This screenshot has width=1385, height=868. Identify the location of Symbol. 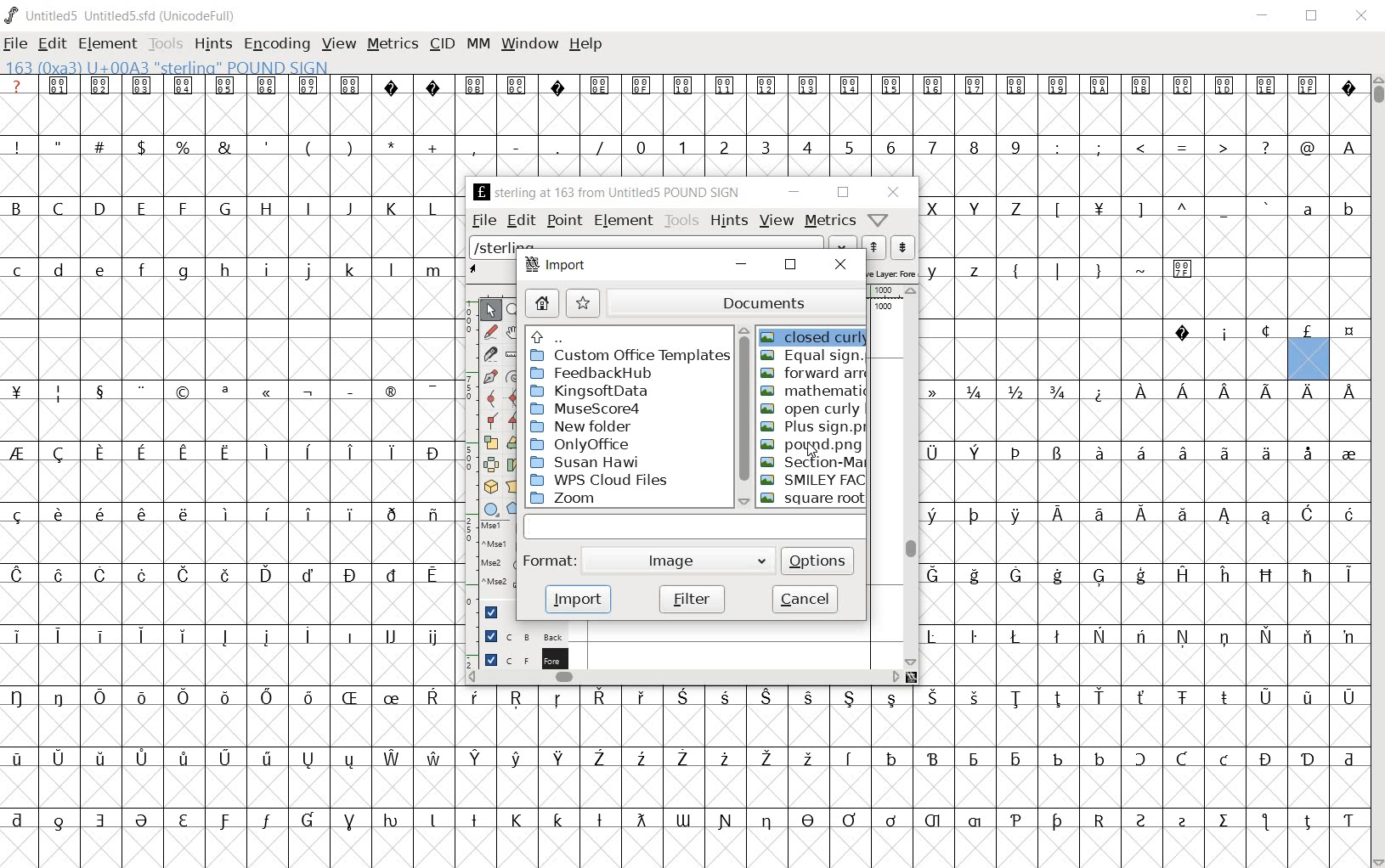
(267, 696).